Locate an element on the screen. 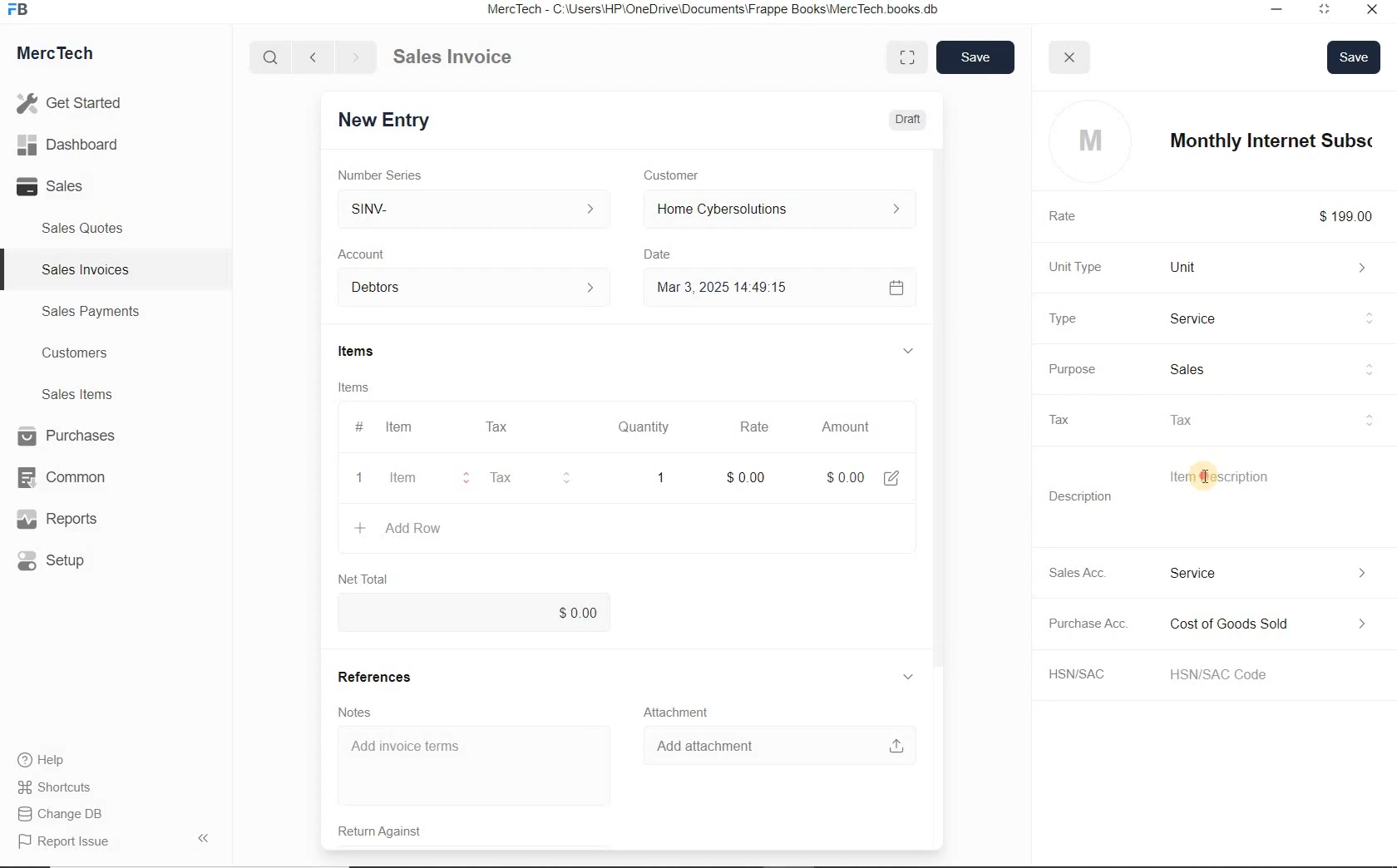 The image size is (1397, 868). Rate is located at coordinates (753, 427).